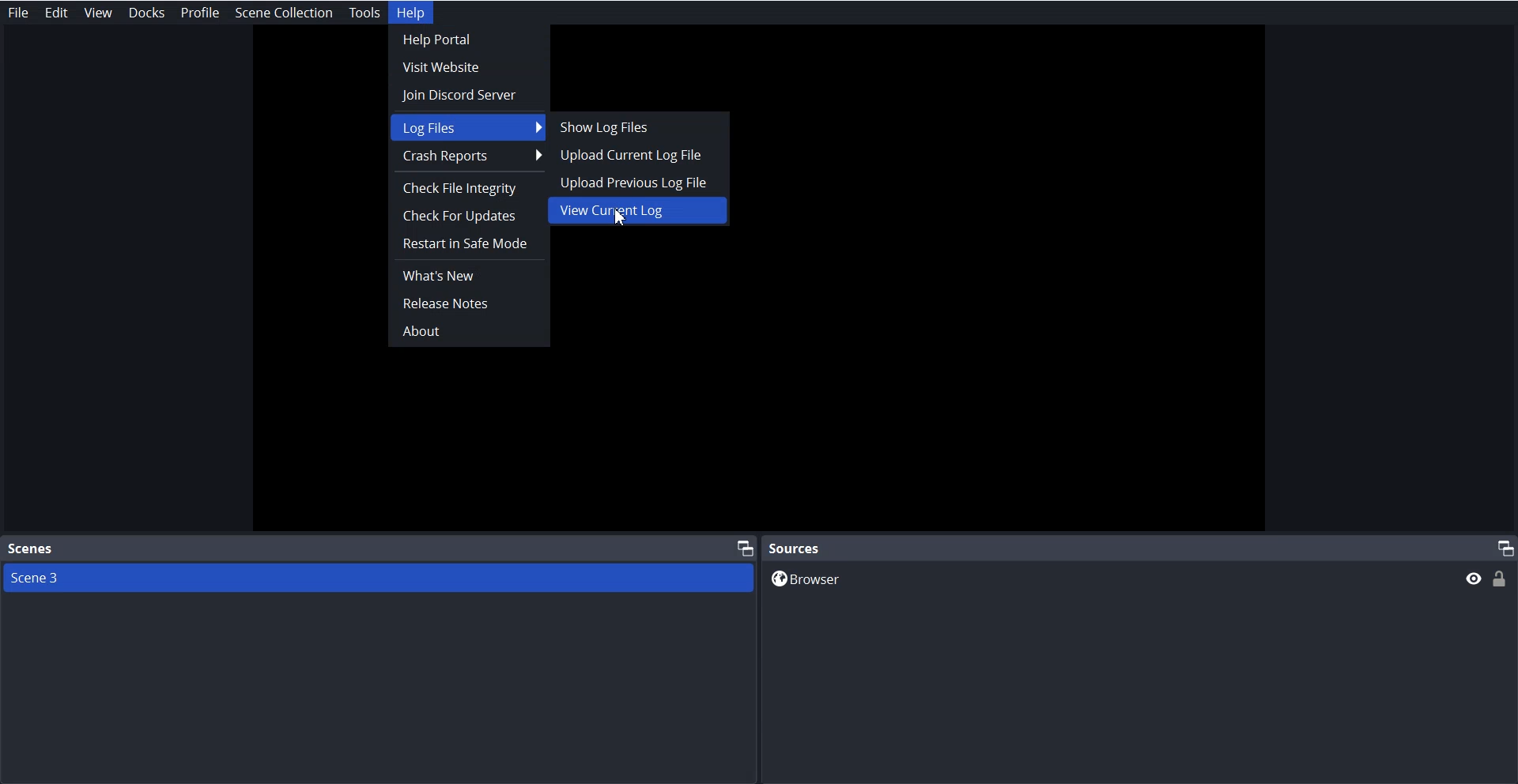 The height and width of the screenshot is (784, 1518). Describe the element at coordinates (198, 13) in the screenshot. I see `Profile` at that location.